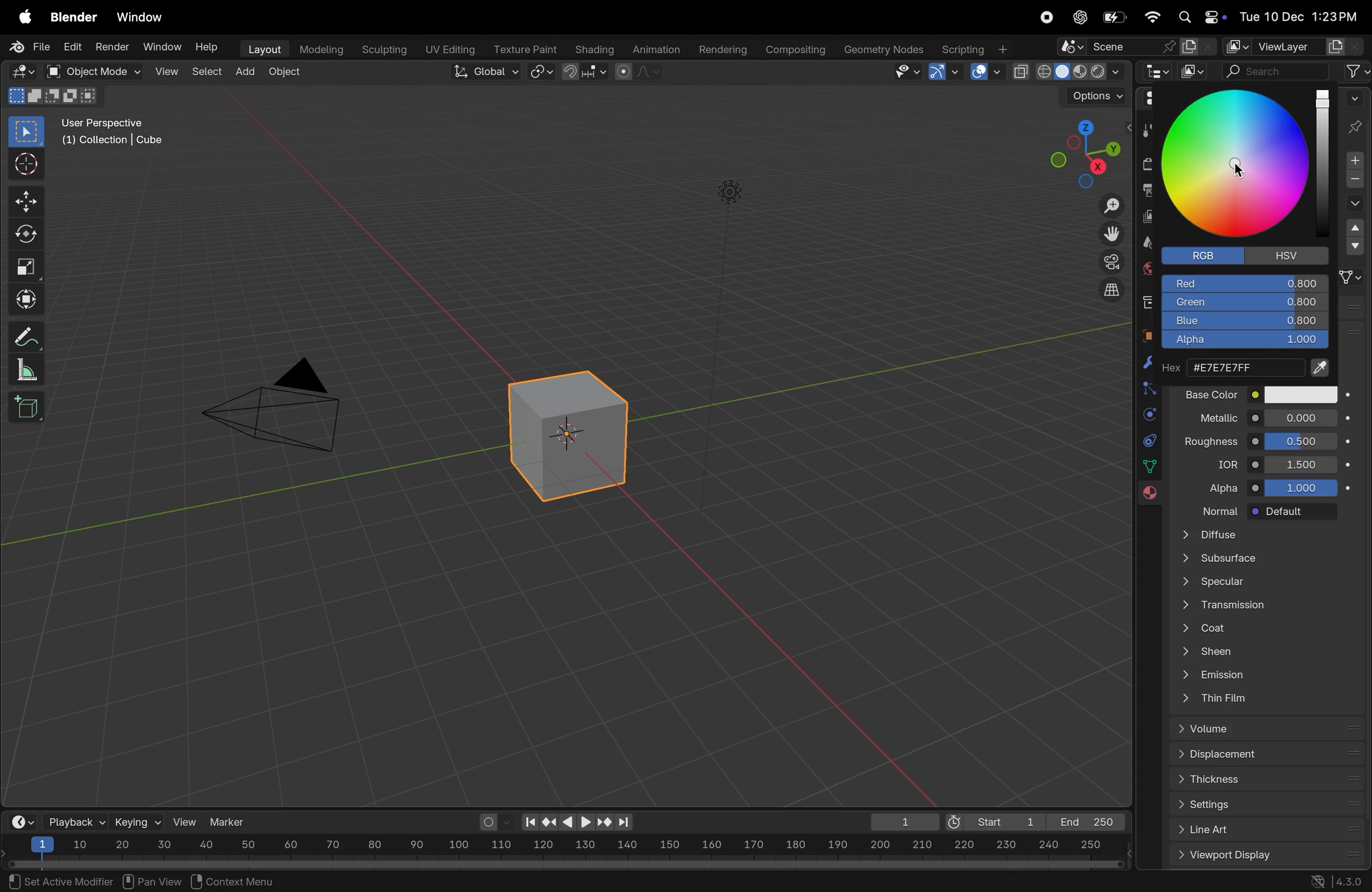  What do you see at coordinates (946, 71) in the screenshot?
I see `show gimzo` at bounding box center [946, 71].